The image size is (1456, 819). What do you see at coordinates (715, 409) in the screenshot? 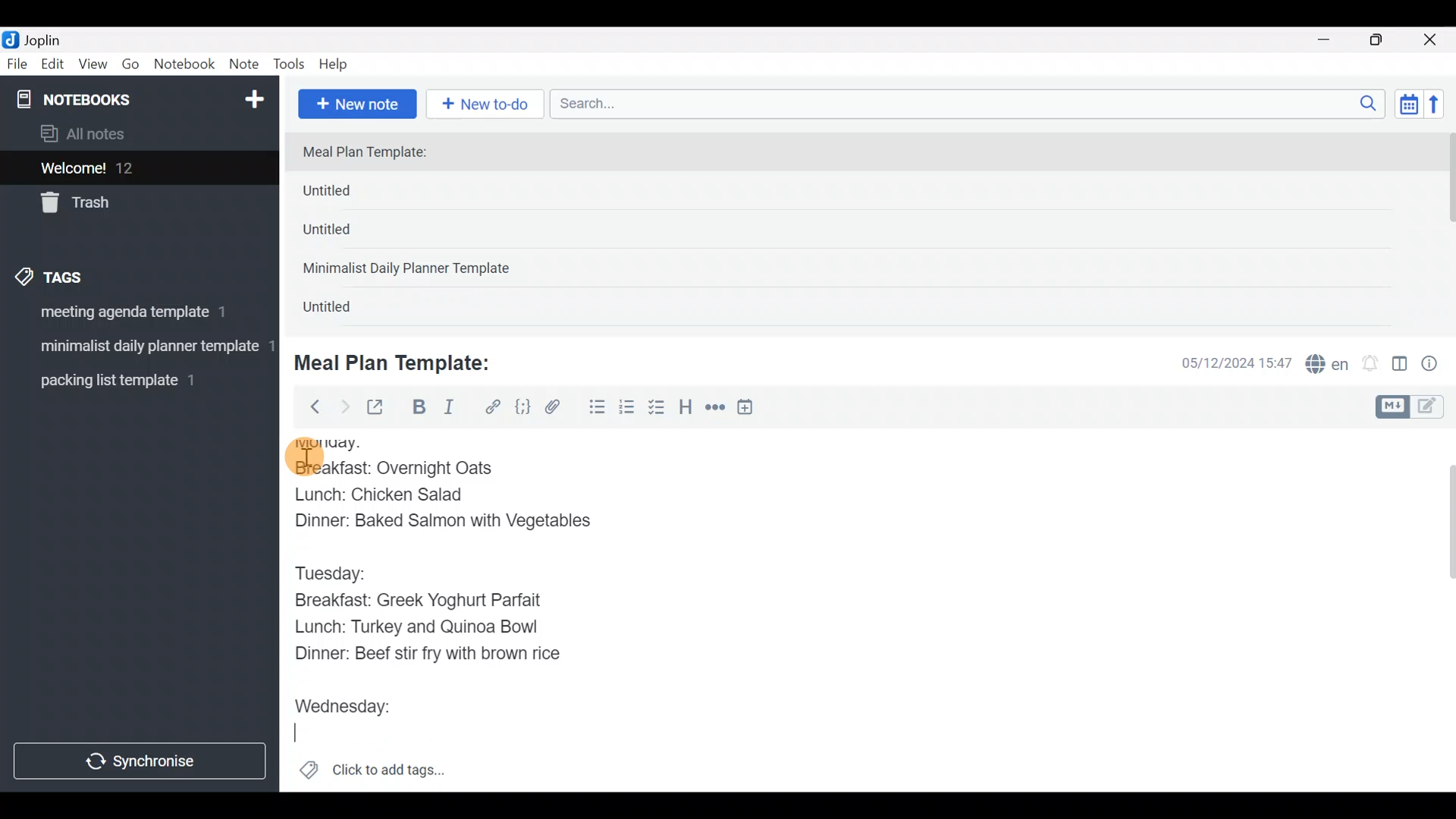
I see `Horizontal rule` at bounding box center [715, 409].